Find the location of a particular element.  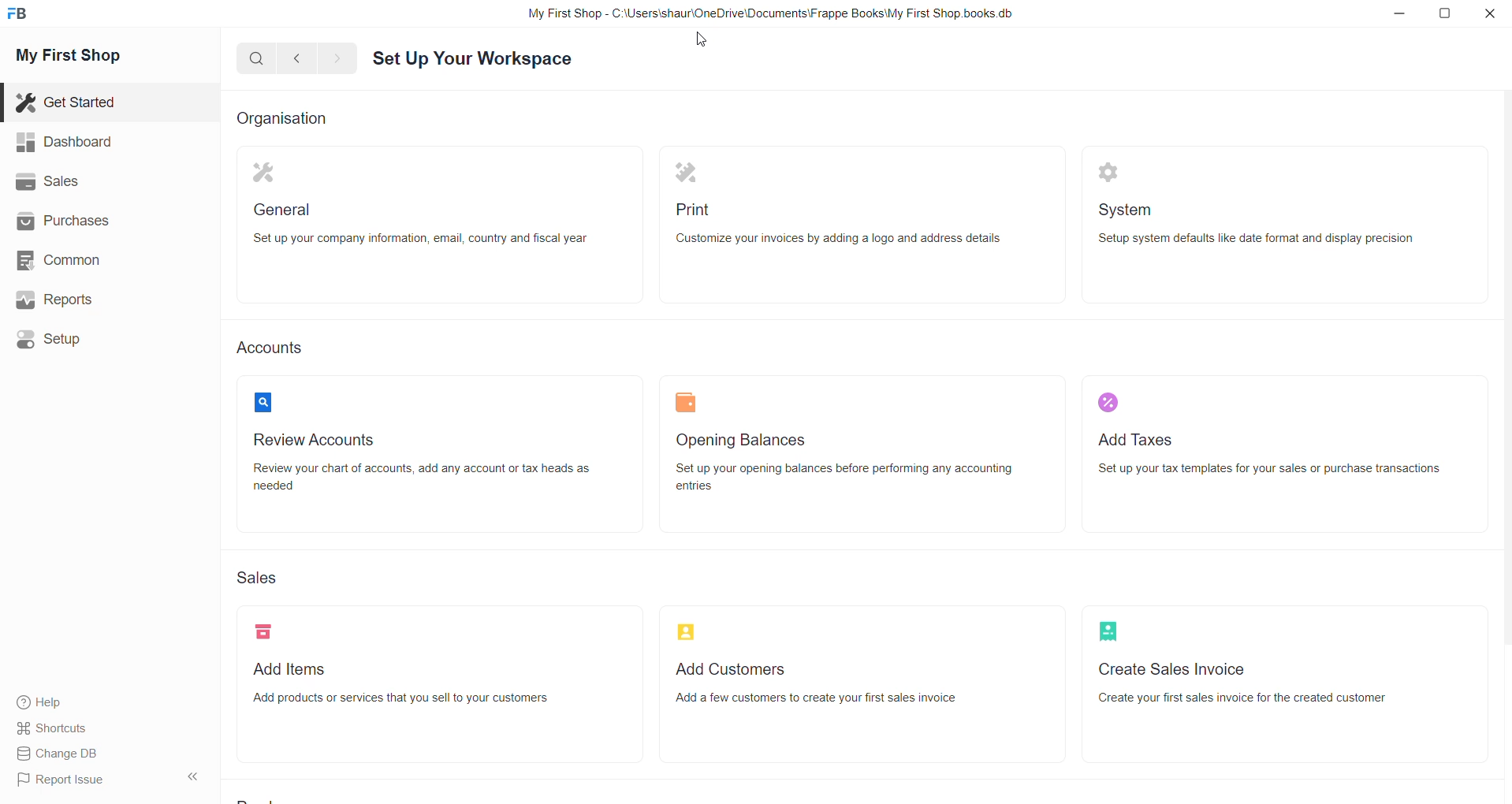

resize  is located at coordinates (1449, 16).